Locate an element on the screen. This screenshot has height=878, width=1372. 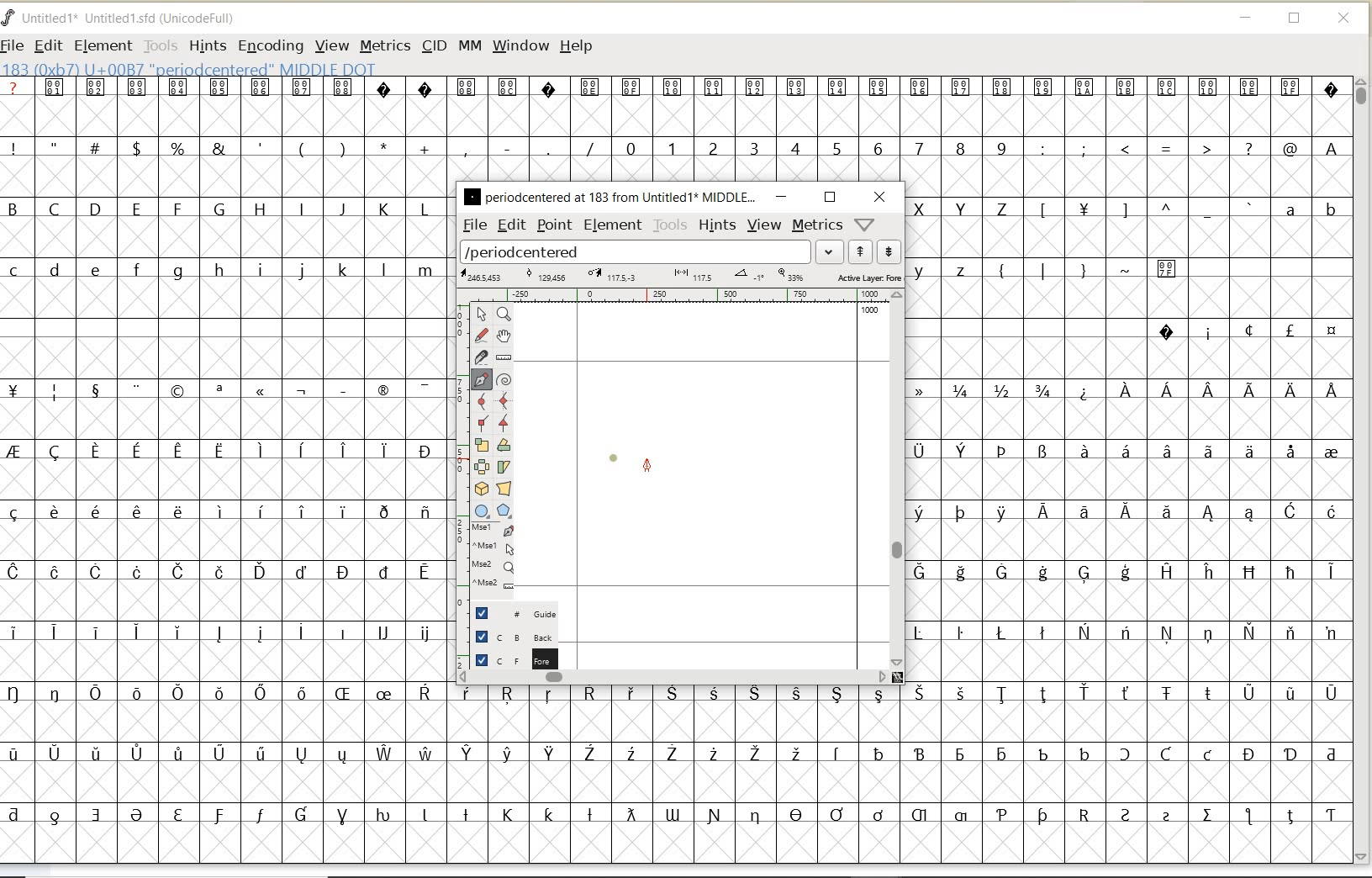
Magnify is located at coordinates (504, 315).